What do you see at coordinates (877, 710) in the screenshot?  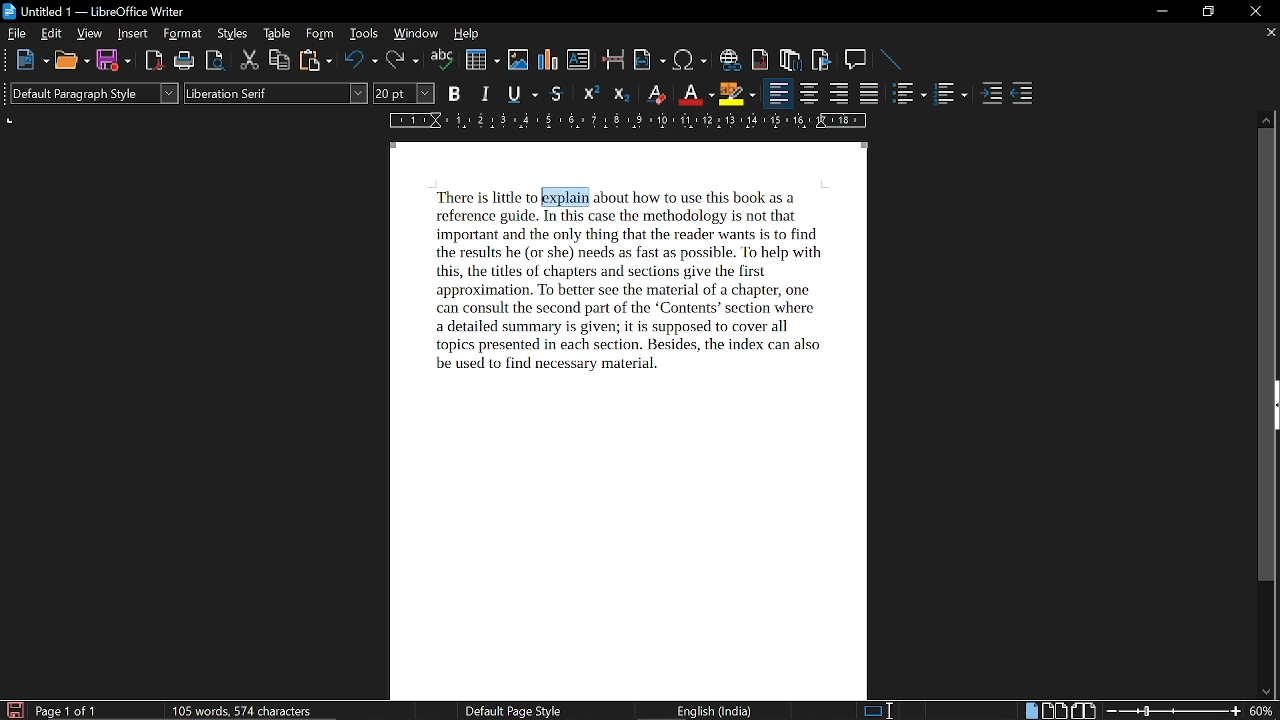 I see `selection method` at bounding box center [877, 710].